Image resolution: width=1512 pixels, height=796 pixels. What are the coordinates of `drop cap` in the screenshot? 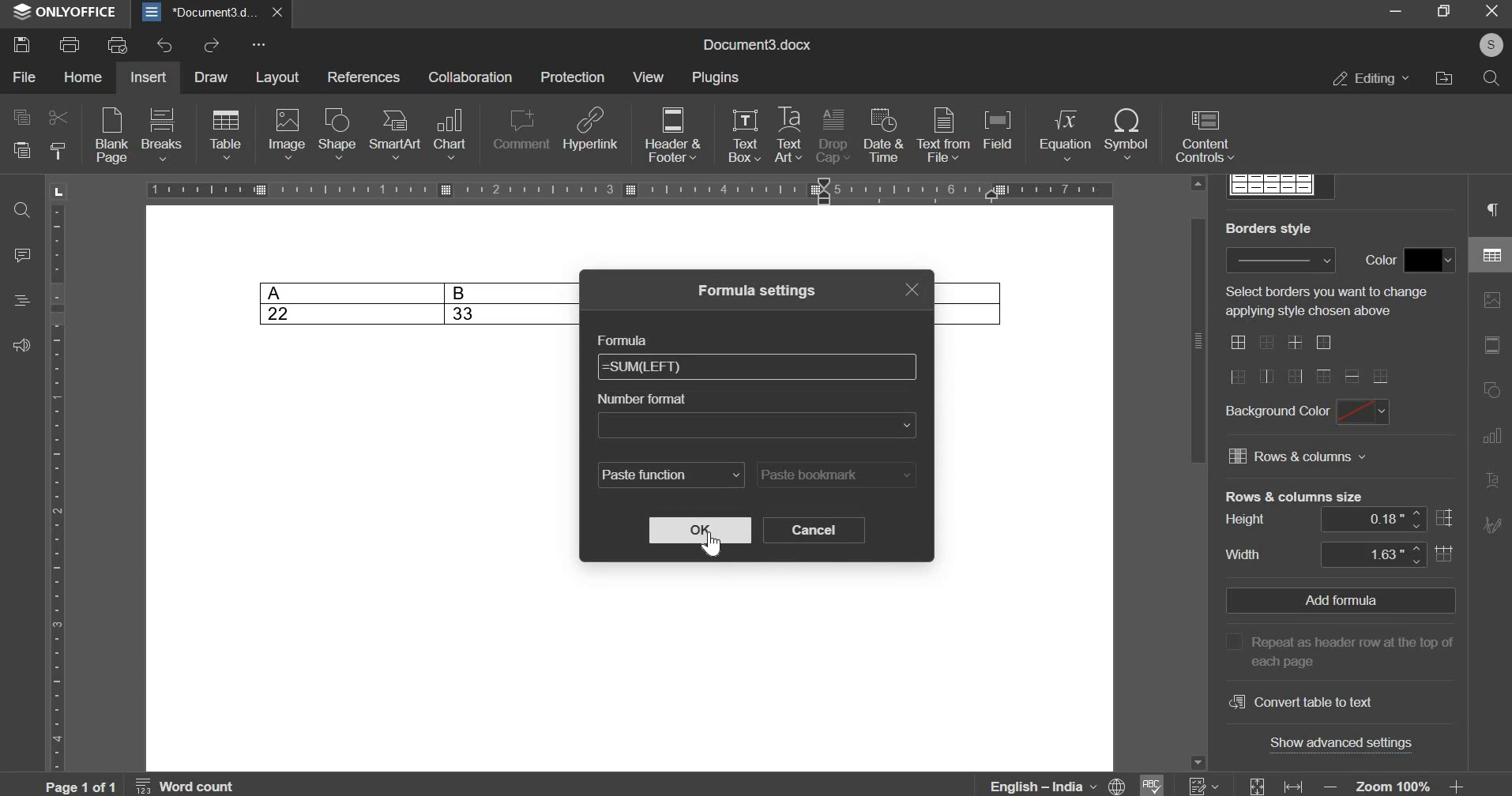 It's located at (832, 137).